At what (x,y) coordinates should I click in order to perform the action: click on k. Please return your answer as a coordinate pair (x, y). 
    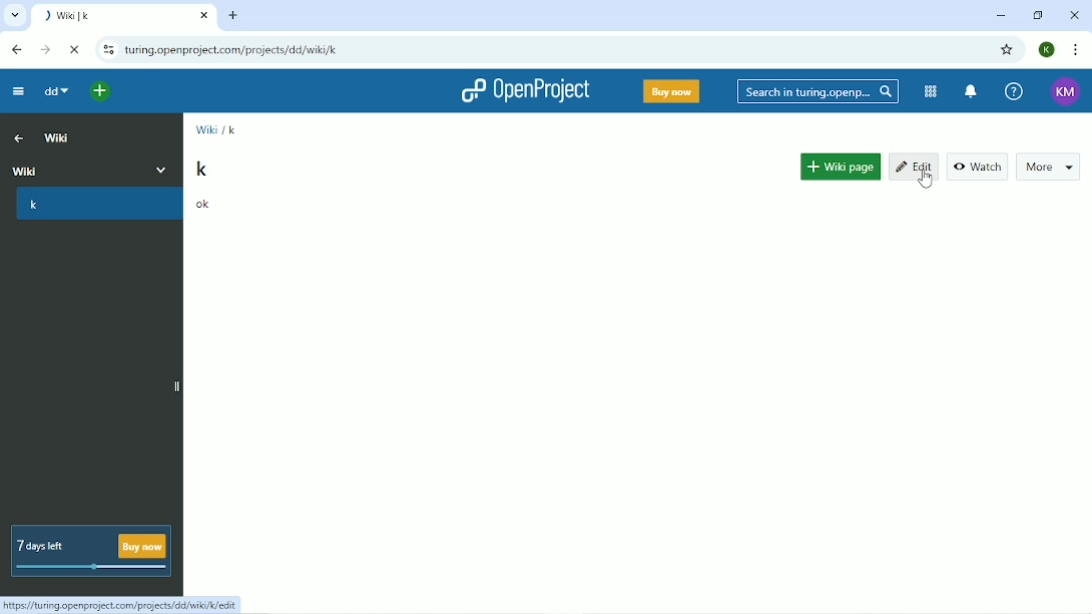
    Looking at the image, I should click on (202, 168).